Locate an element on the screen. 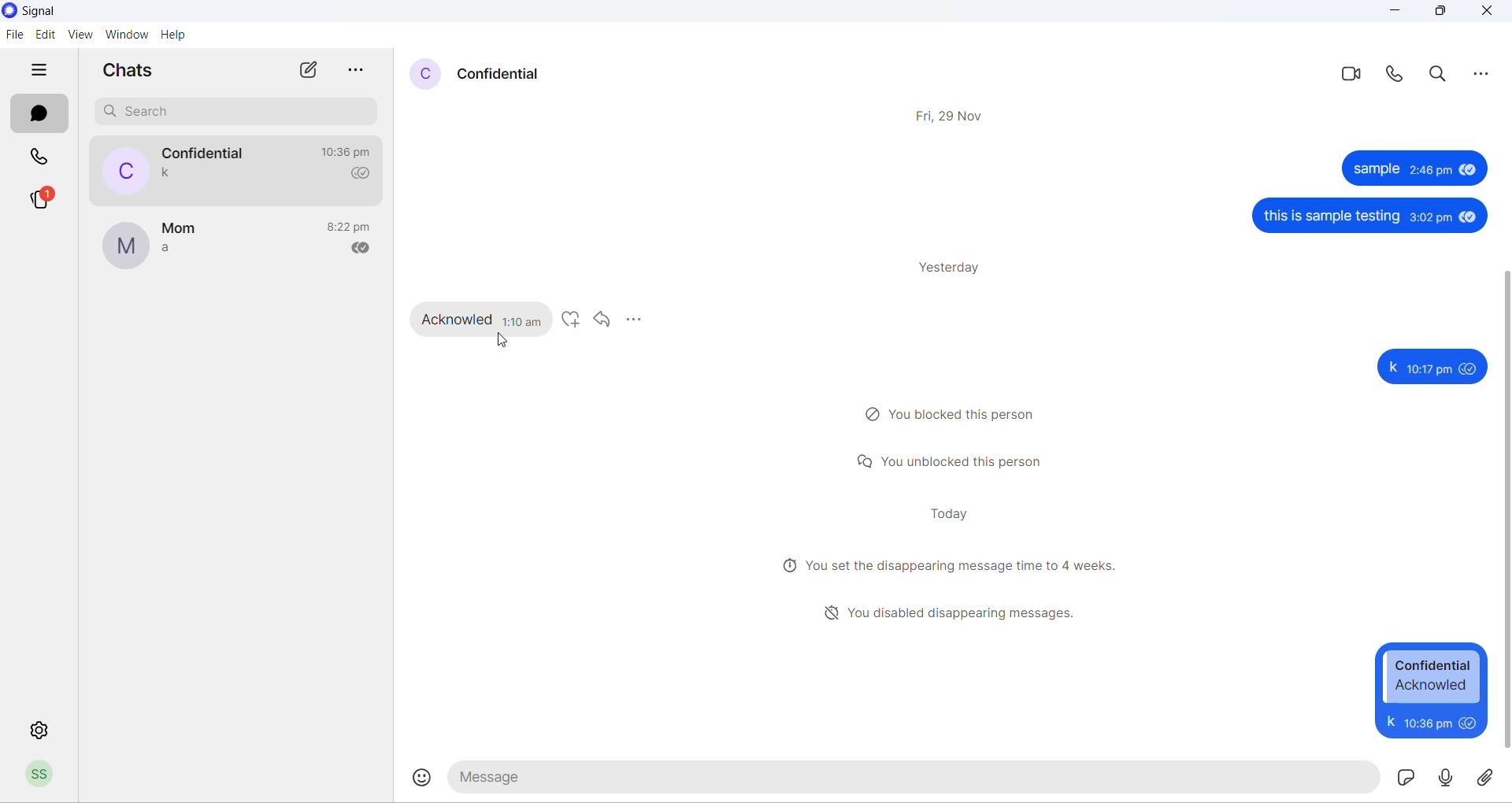 The image size is (1512, 803). maximize is located at coordinates (1440, 12).